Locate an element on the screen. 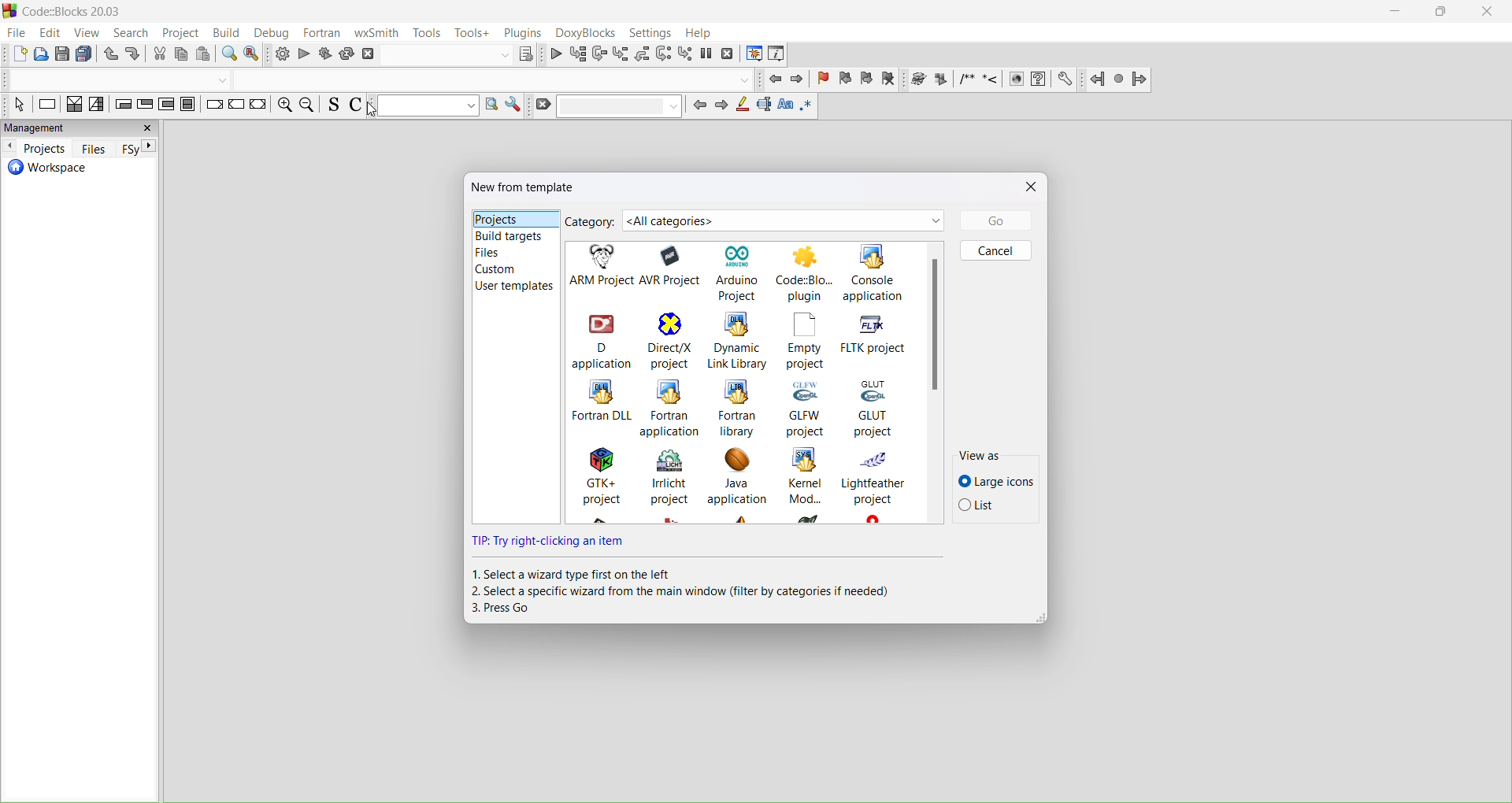  plugins is located at coordinates (524, 32).